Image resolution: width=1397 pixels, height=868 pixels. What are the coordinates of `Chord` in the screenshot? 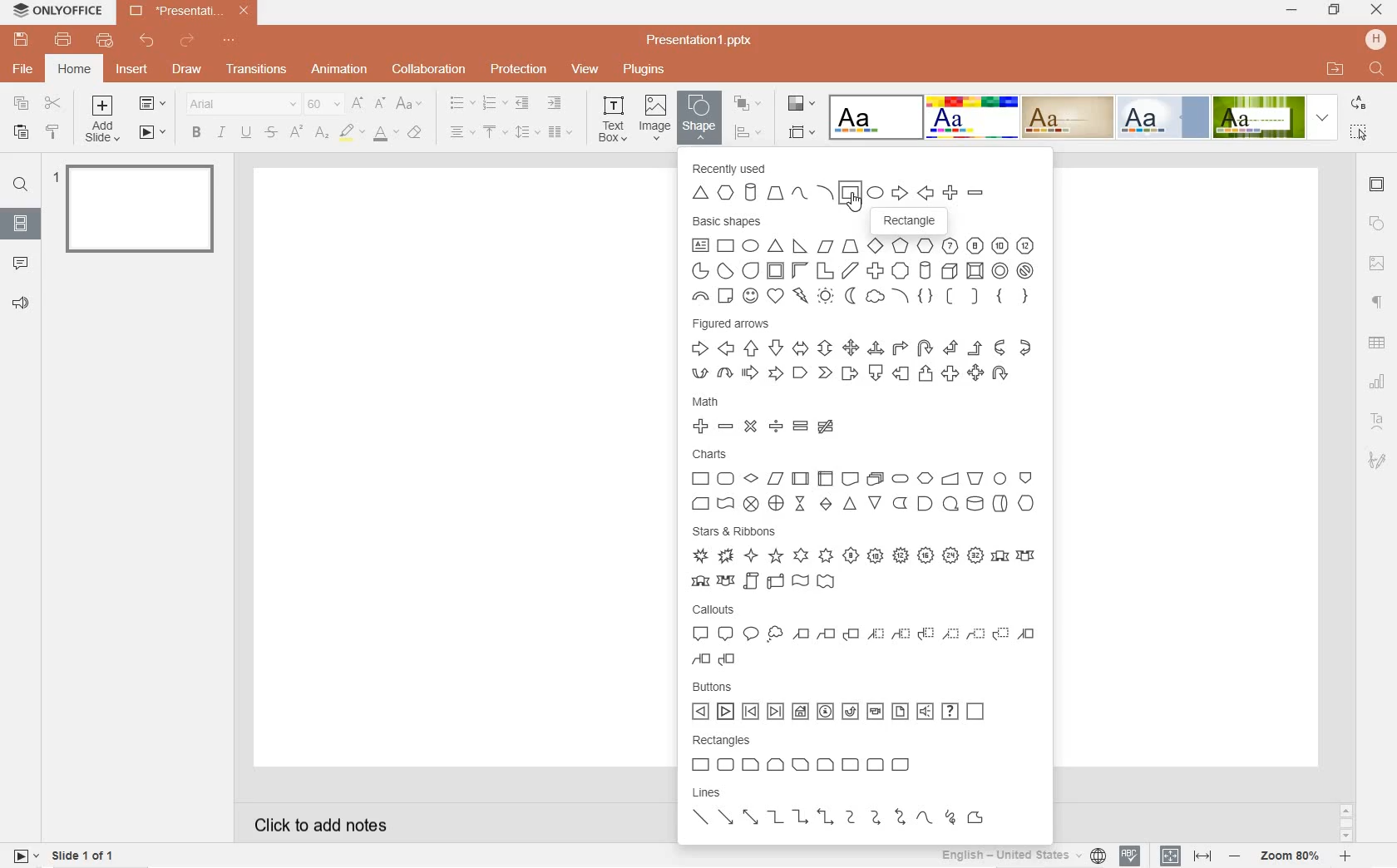 It's located at (726, 272).